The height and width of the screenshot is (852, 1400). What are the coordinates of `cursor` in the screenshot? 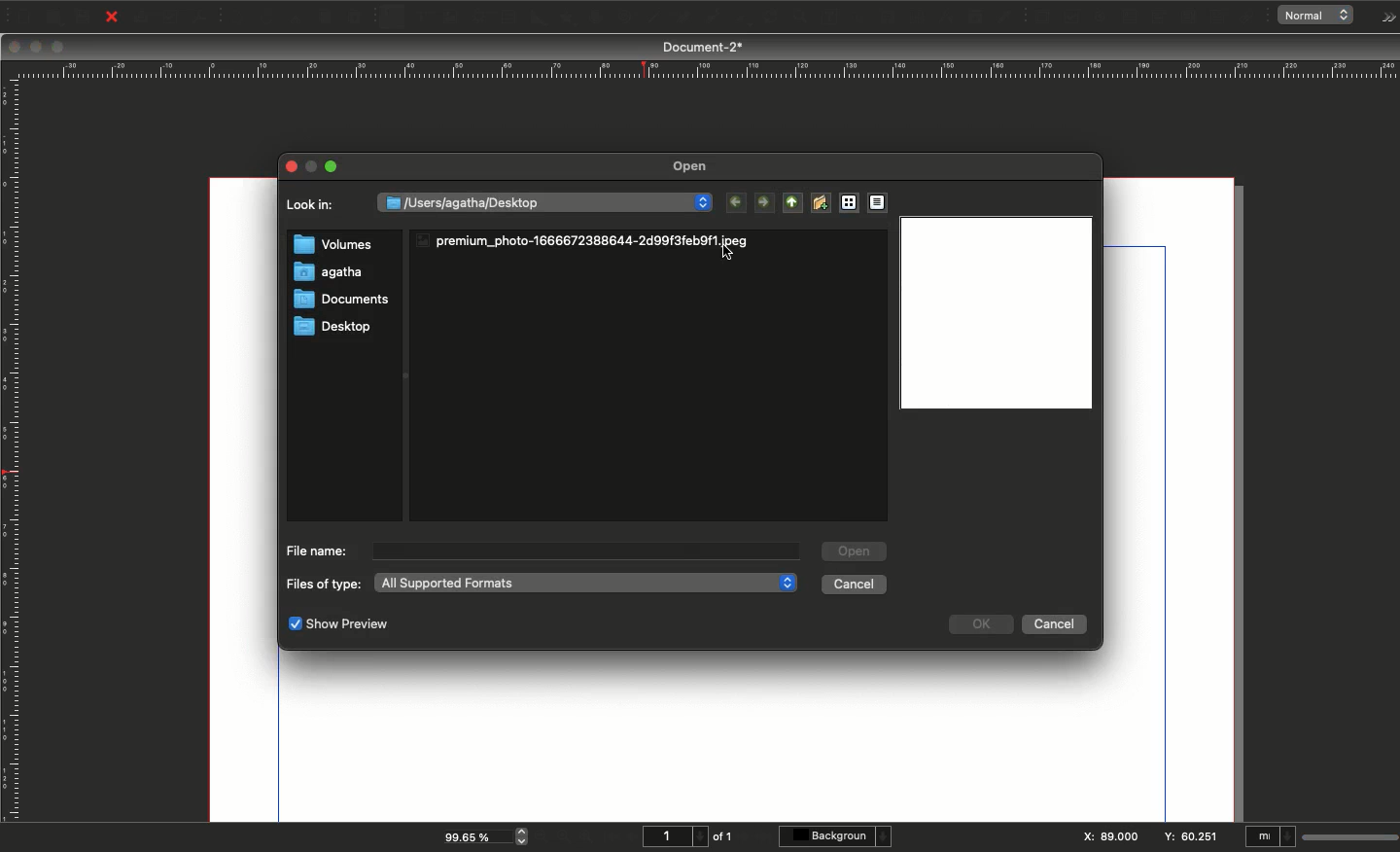 It's located at (728, 253).